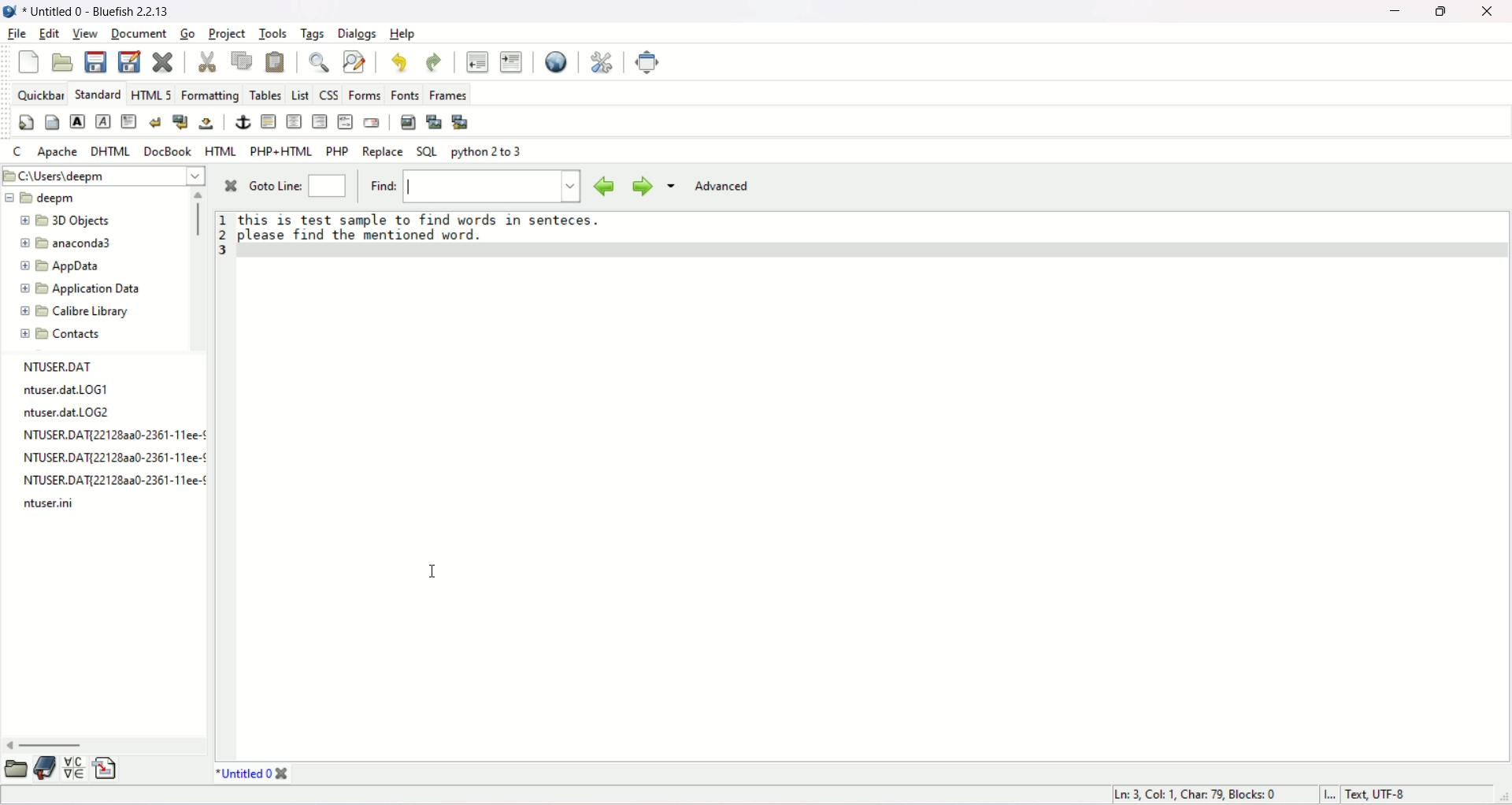  Describe the element at coordinates (1374, 794) in the screenshot. I see `text, UTF-8` at that location.